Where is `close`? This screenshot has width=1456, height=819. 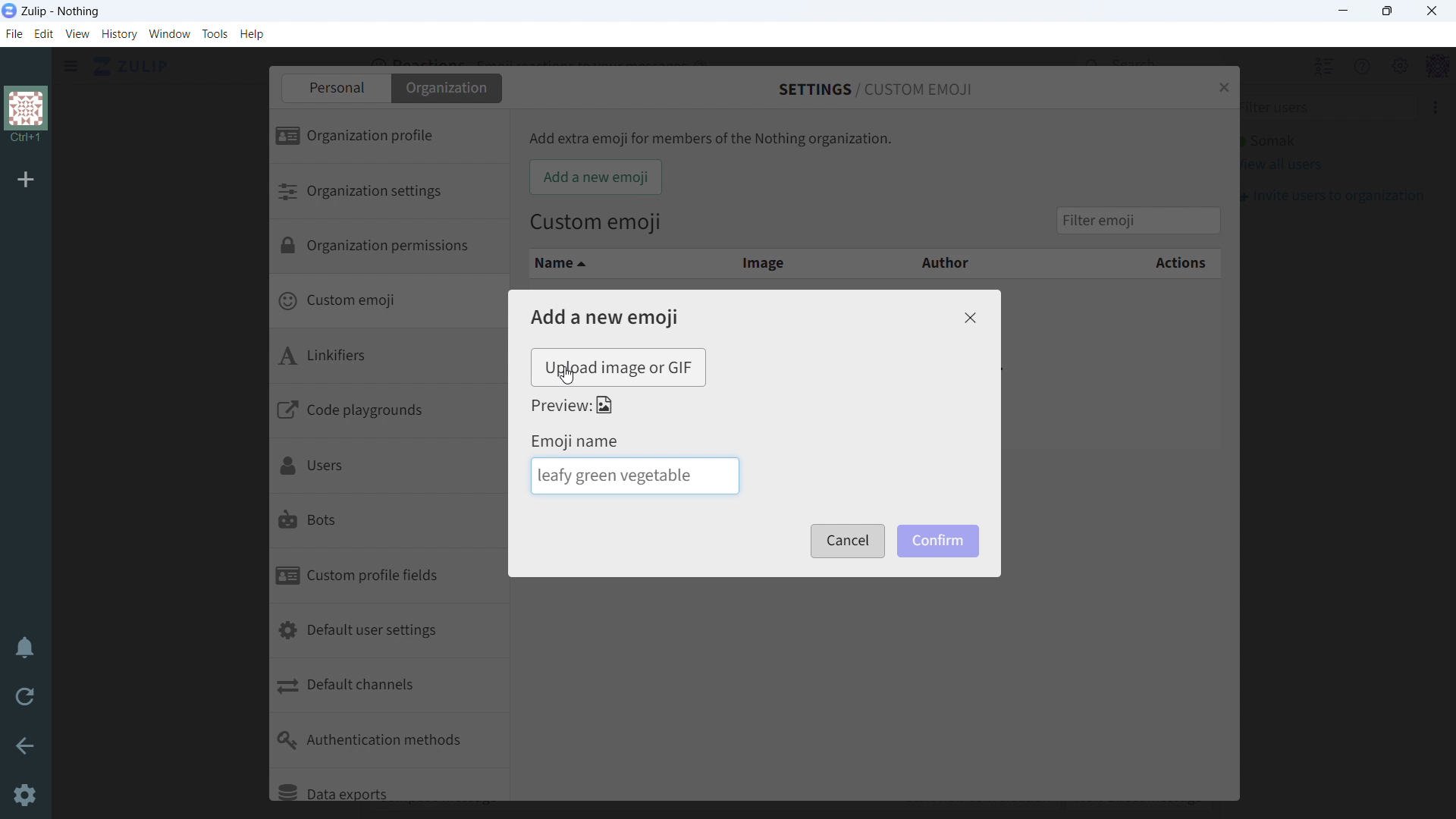 close is located at coordinates (1222, 86).